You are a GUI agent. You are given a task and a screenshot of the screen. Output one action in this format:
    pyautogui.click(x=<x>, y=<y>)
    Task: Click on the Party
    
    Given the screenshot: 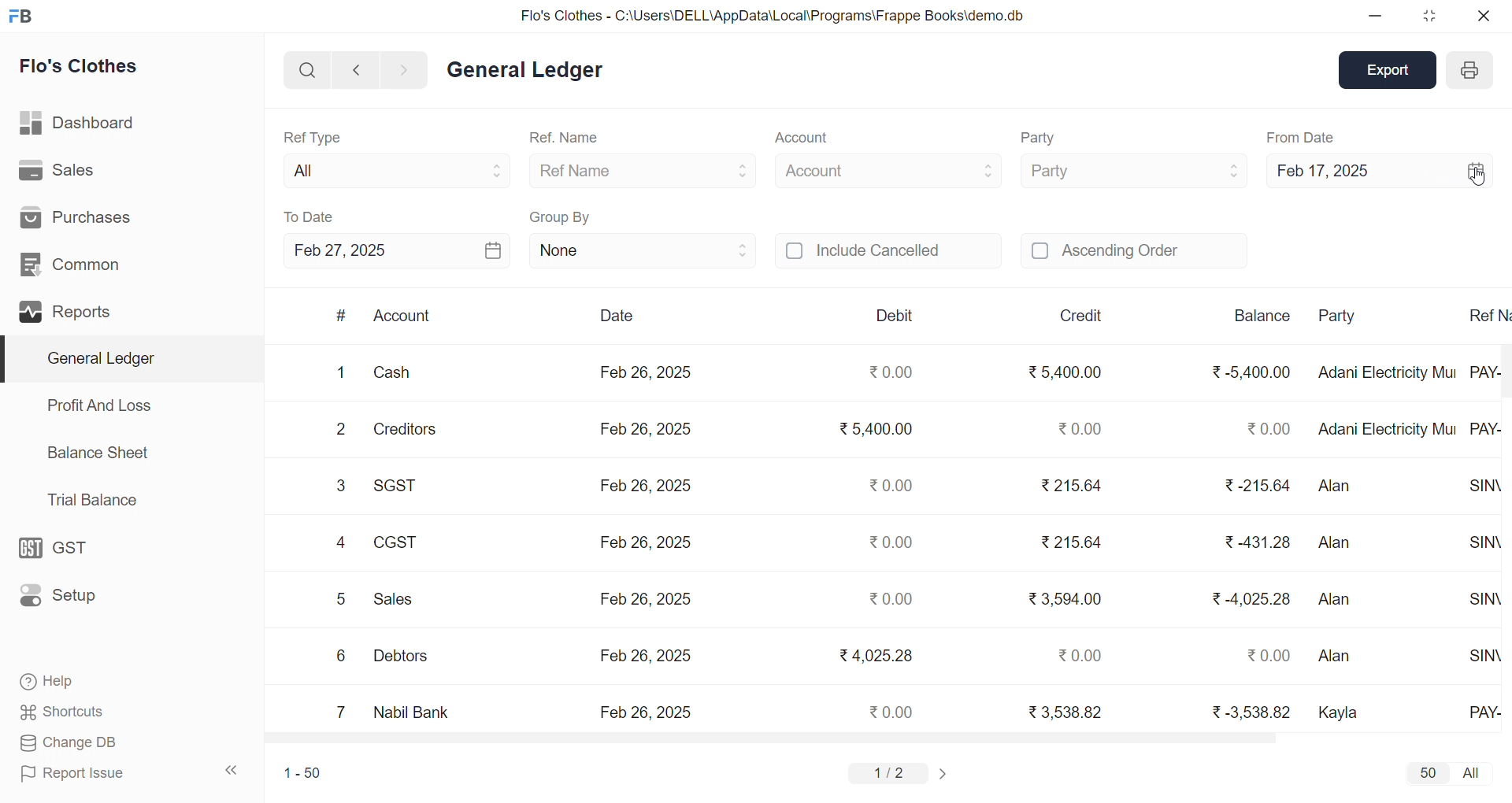 What is the action you would take?
    pyautogui.click(x=1347, y=316)
    